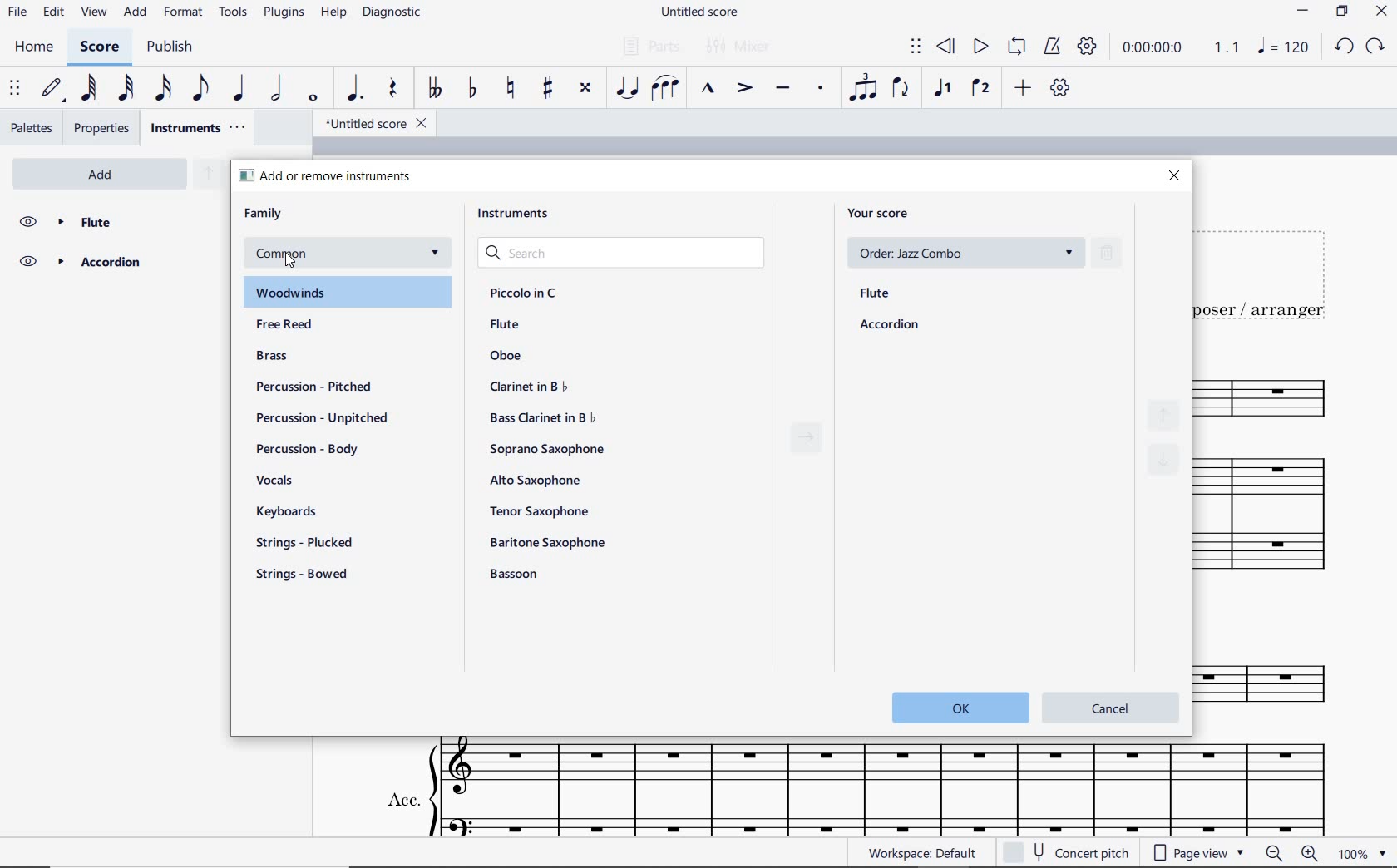 The image size is (1397, 868). Describe the element at coordinates (355, 88) in the screenshot. I see `augmentation dot` at that location.